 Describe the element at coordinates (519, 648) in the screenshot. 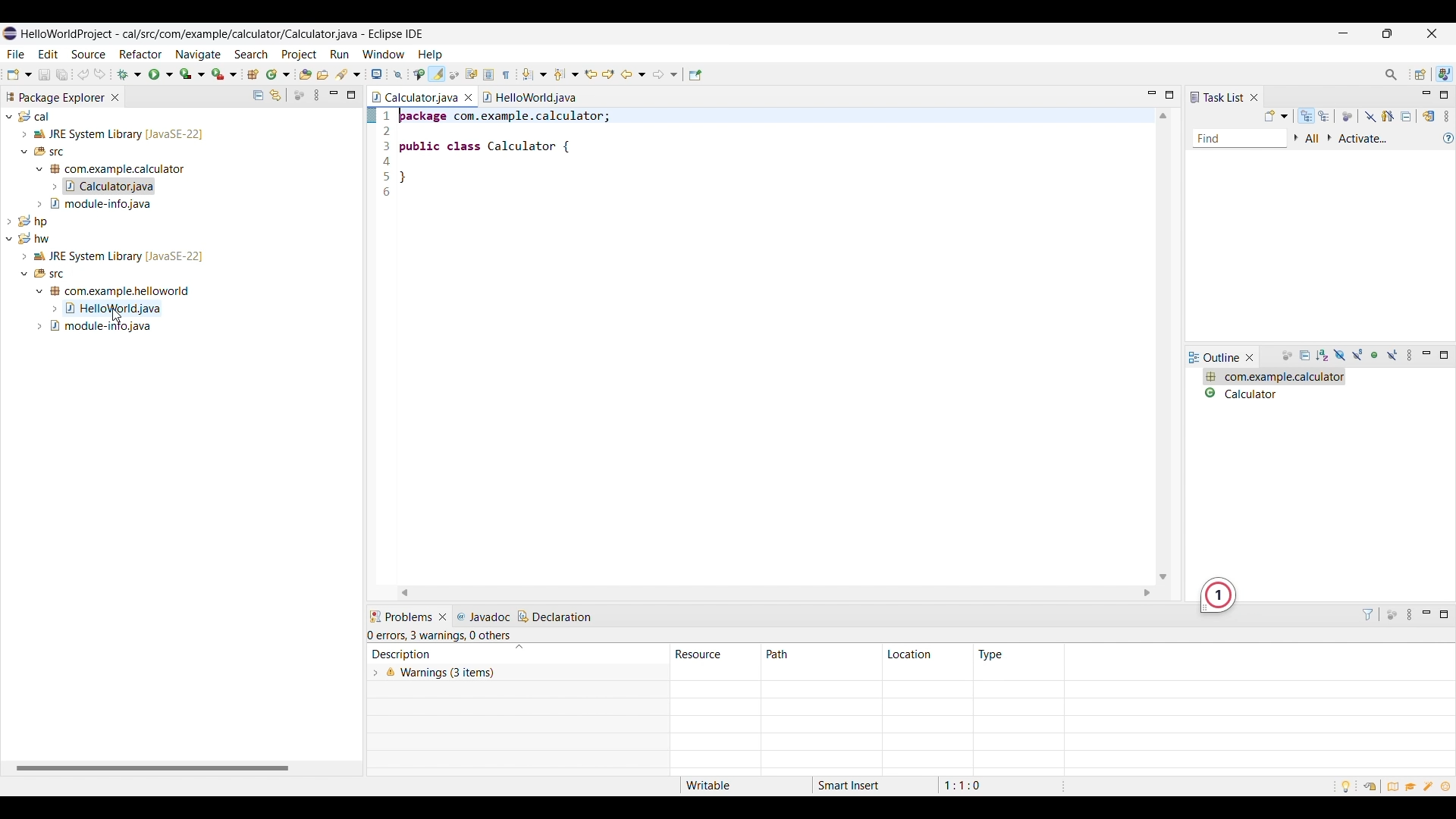

I see `Sort` at that location.